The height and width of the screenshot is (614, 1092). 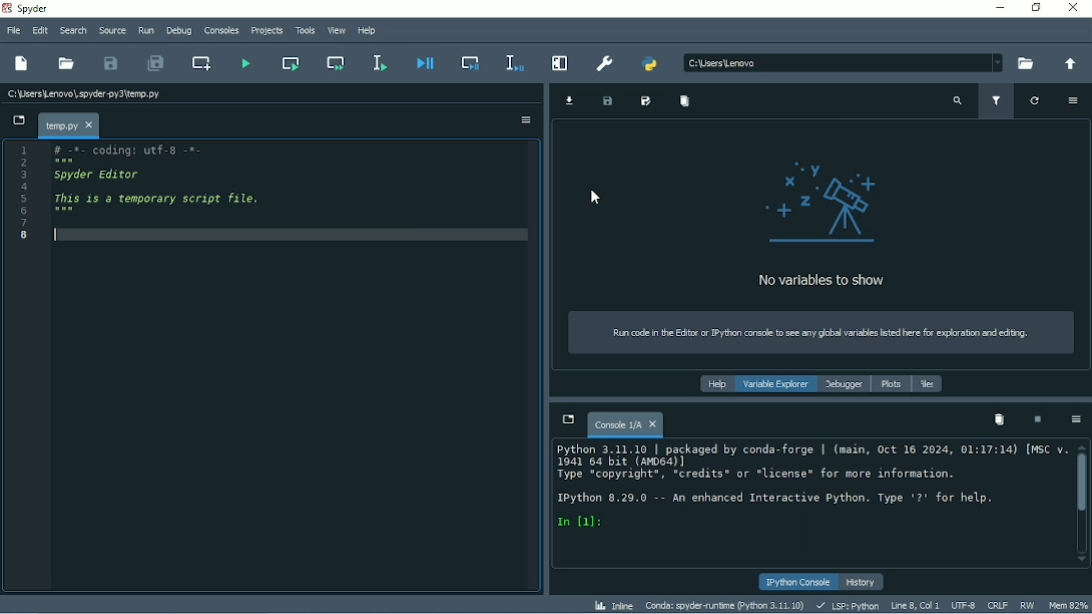 What do you see at coordinates (33, 9) in the screenshot?
I see `Spyder` at bounding box center [33, 9].